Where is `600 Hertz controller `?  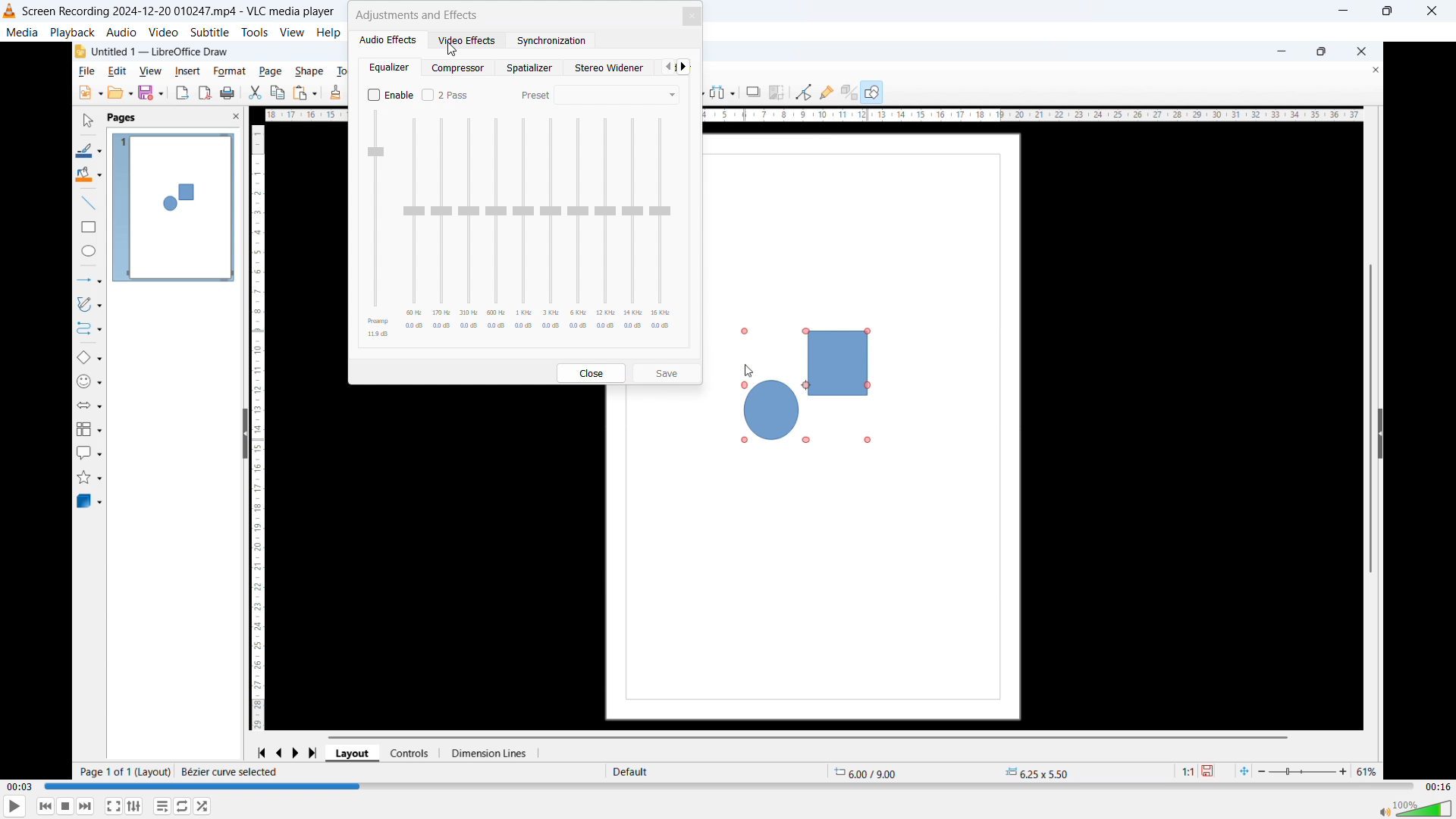 600 Hertz controller  is located at coordinates (496, 227).